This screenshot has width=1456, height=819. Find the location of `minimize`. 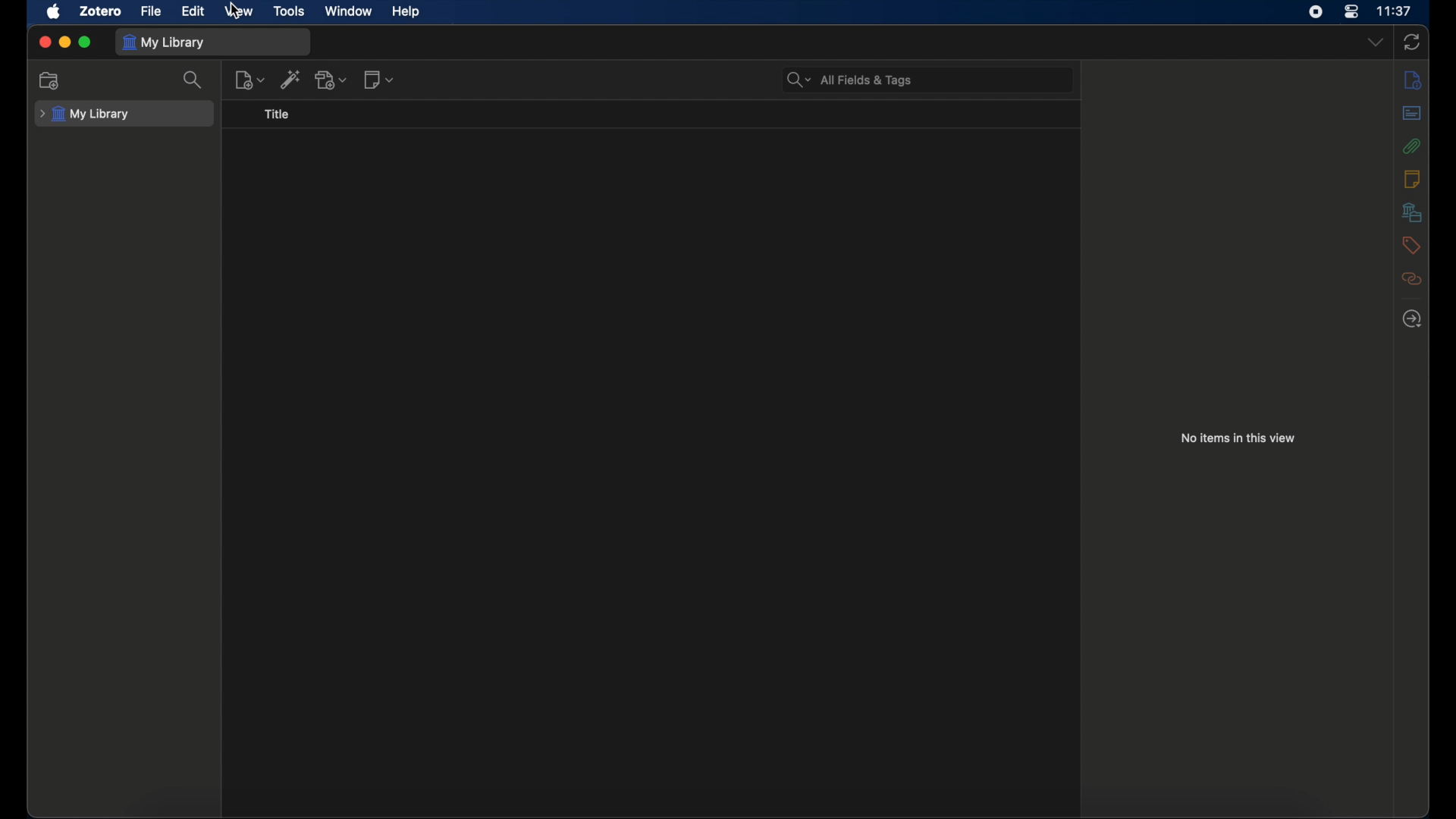

minimize is located at coordinates (65, 42).